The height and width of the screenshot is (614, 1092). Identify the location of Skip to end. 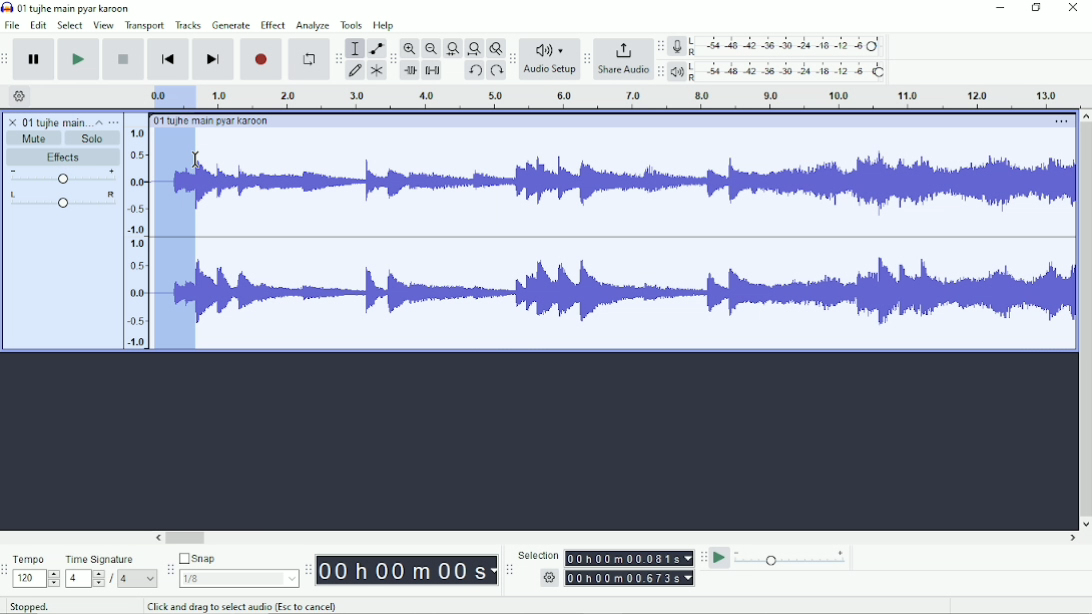
(213, 60).